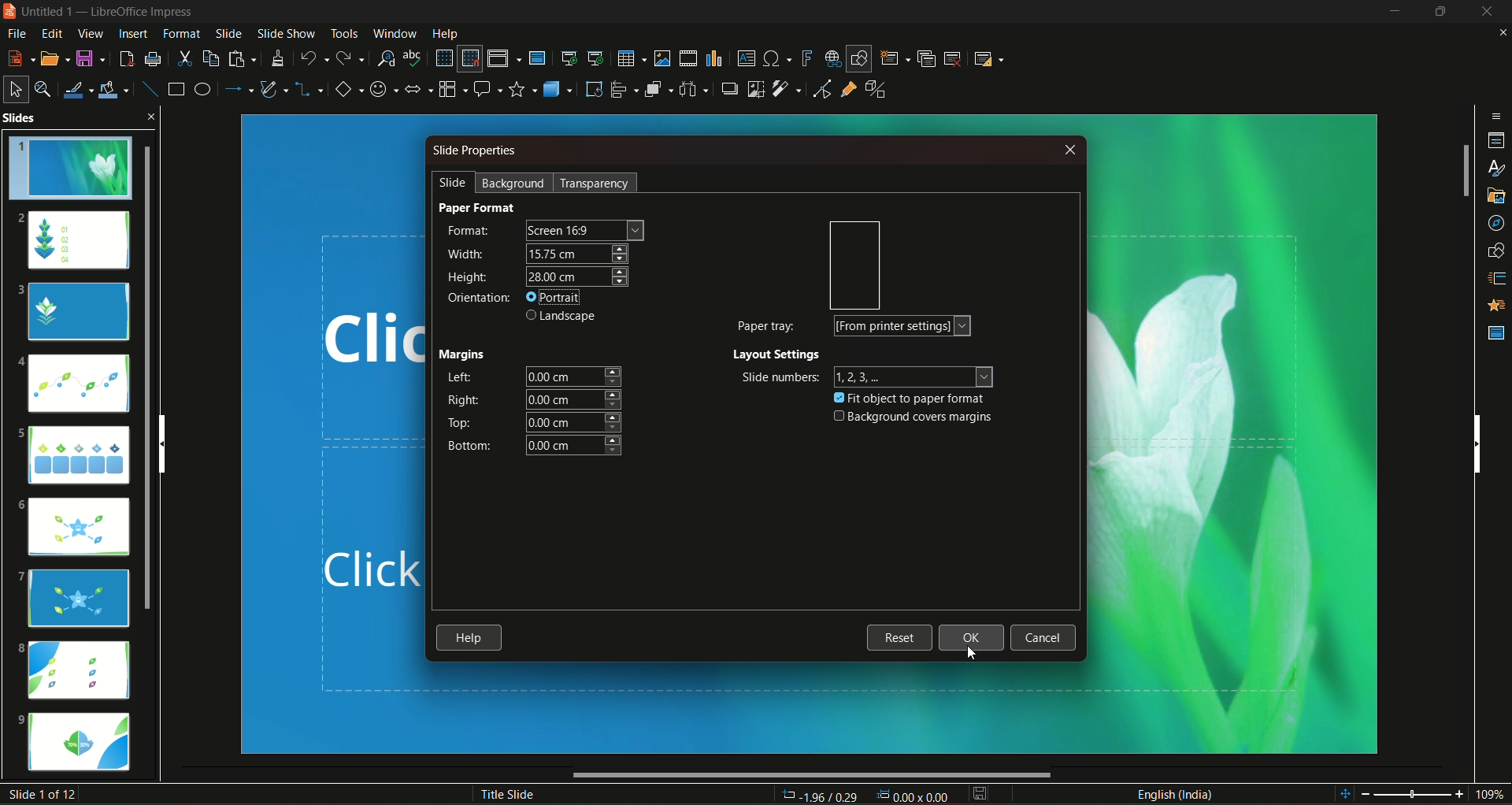 The width and height of the screenshot is (1512, 805). I want to click on slide 3, so click(77, 312).